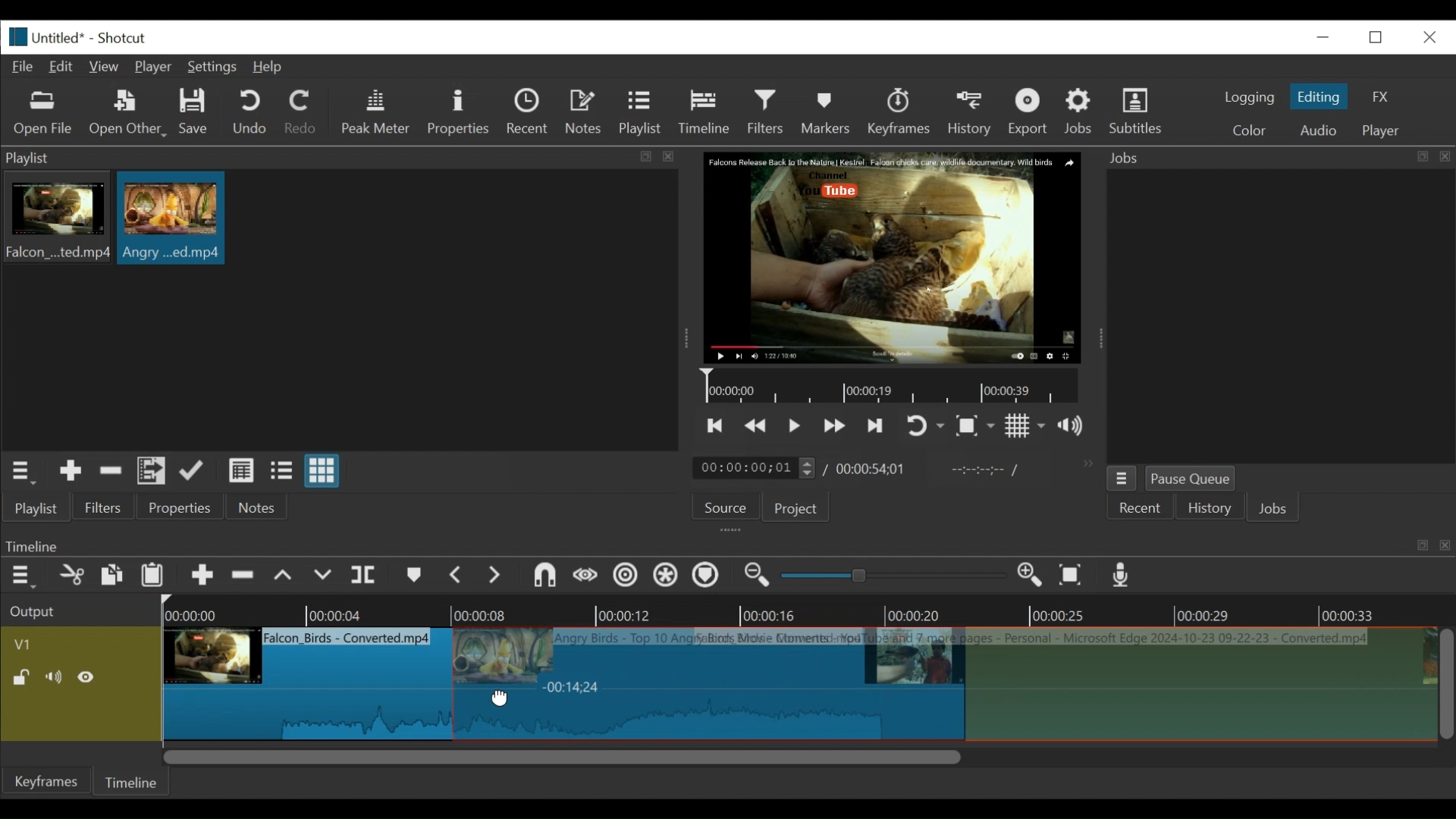  Describe the element at coordinates (1248, 97) in the screenshot. I see `logging` at that location.